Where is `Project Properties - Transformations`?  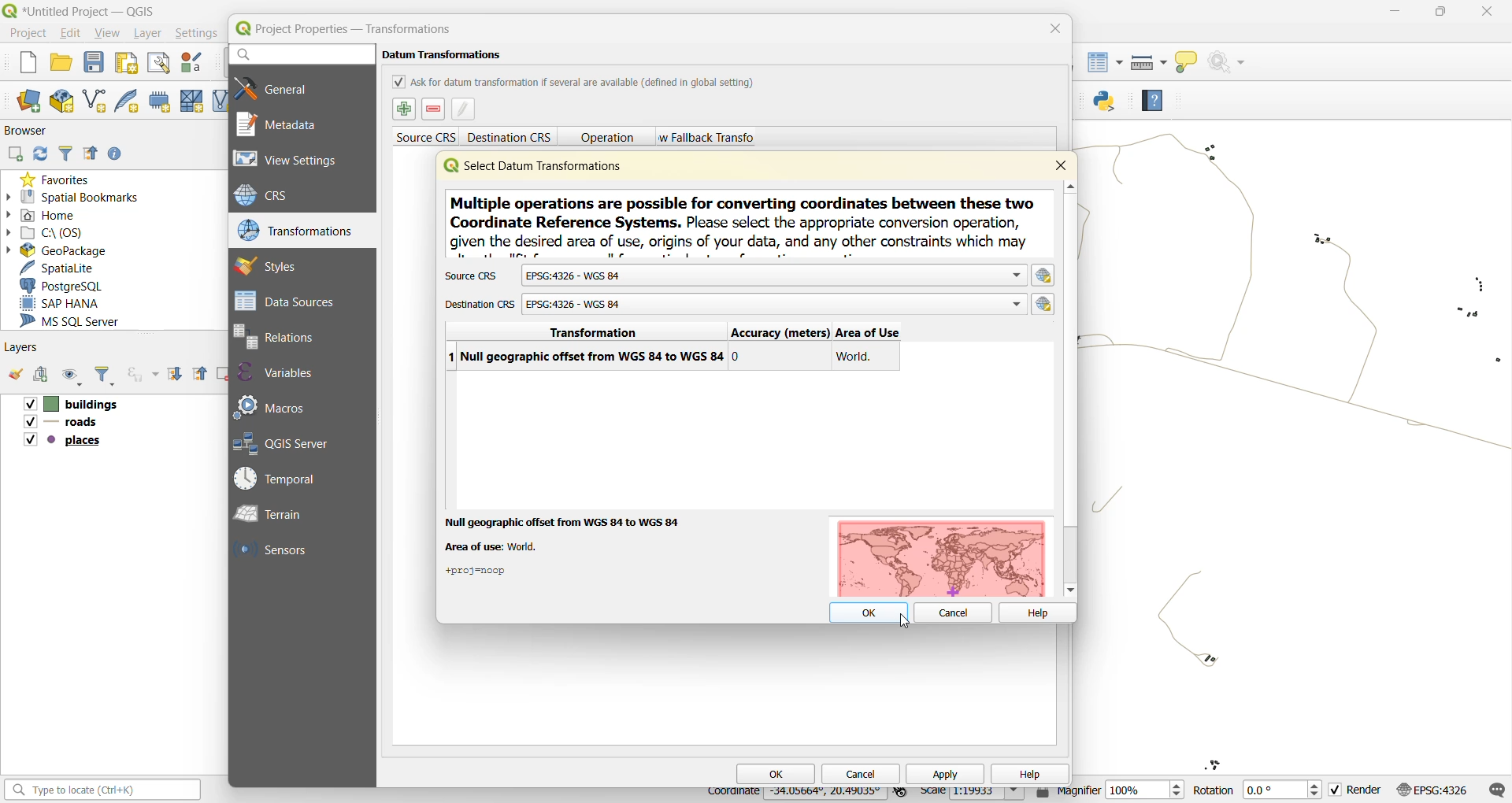 Project Properties - Transformations is located at coordinates (370, 28).